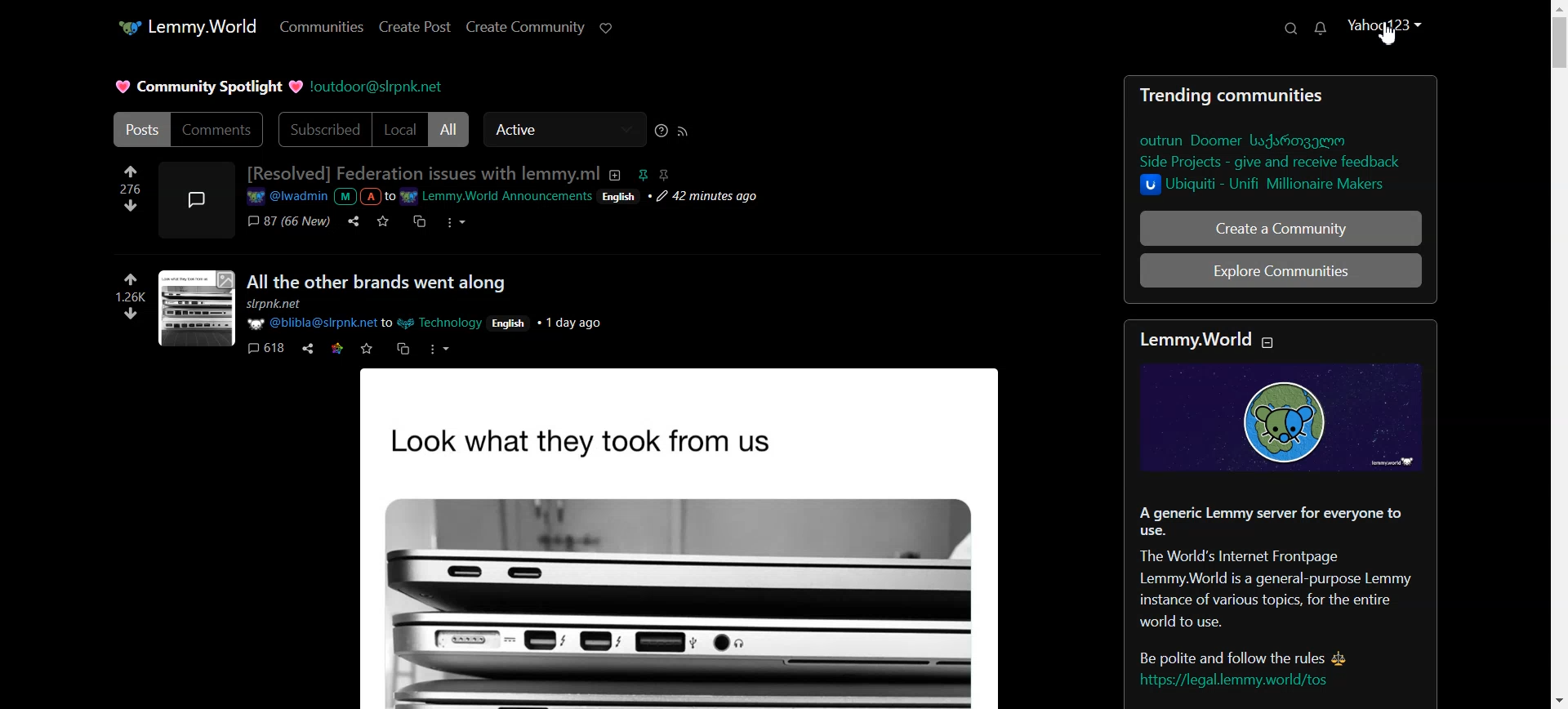  Describe the element at coordinates (129, 205) in the screenshot. I see `Downvote` at that location.